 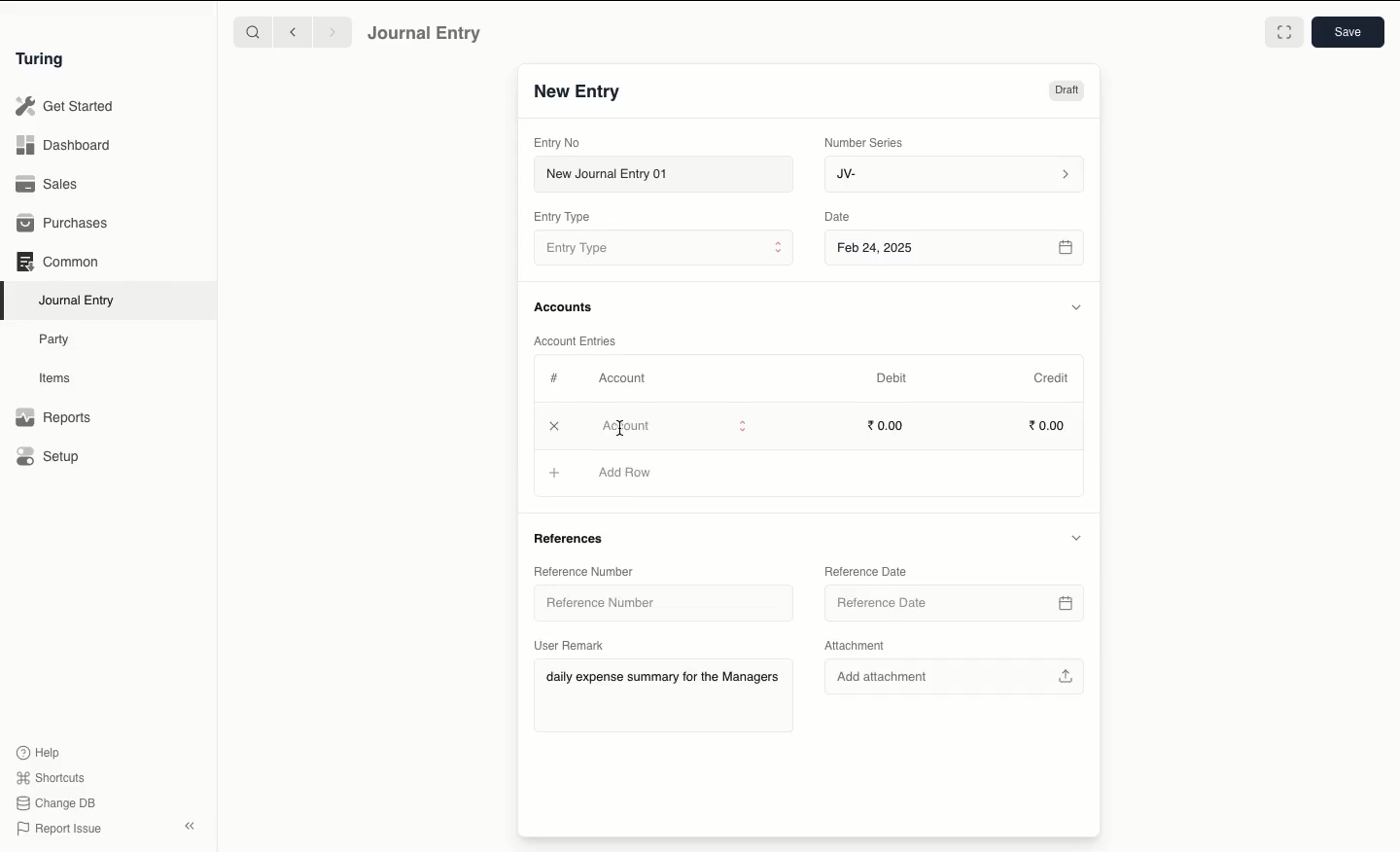 I want to click on Credit, so click(x=1053, y=378).